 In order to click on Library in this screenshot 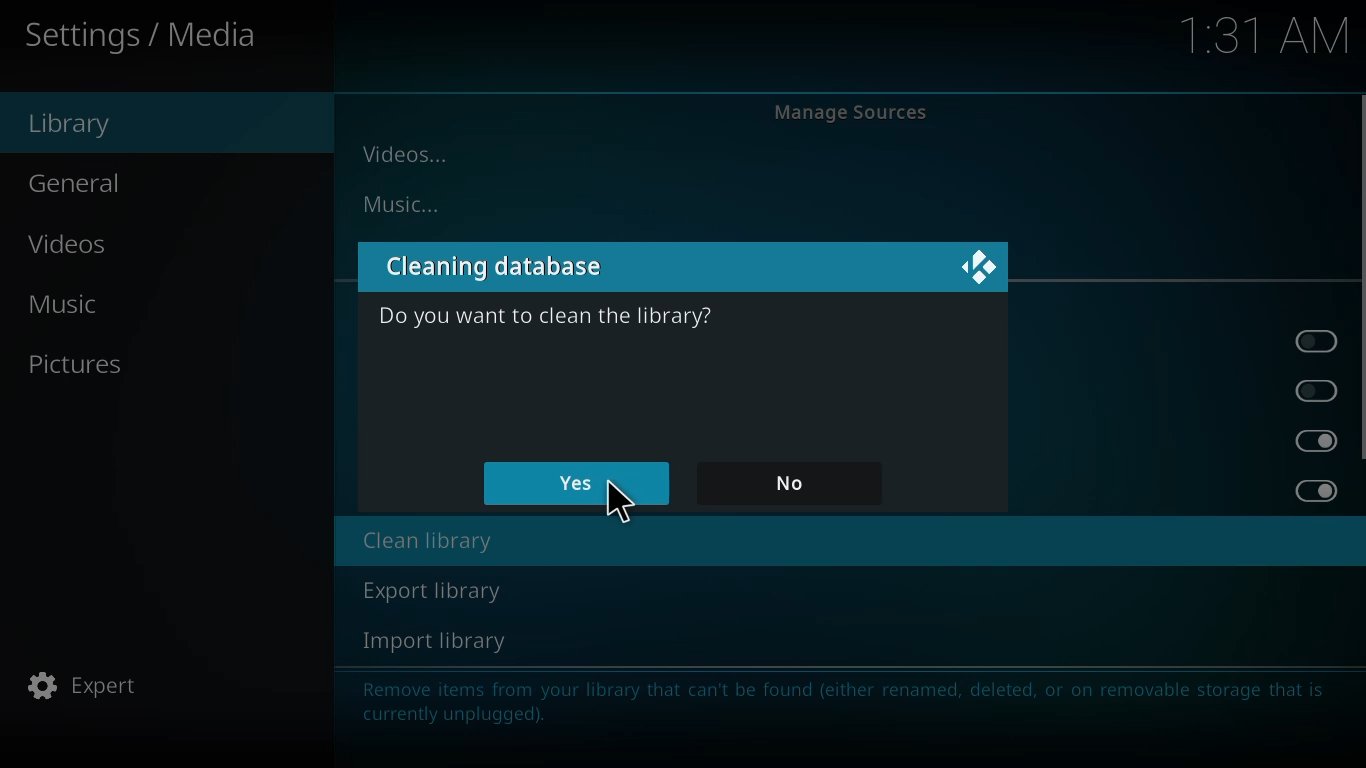, I will do `click(77, 129)`.